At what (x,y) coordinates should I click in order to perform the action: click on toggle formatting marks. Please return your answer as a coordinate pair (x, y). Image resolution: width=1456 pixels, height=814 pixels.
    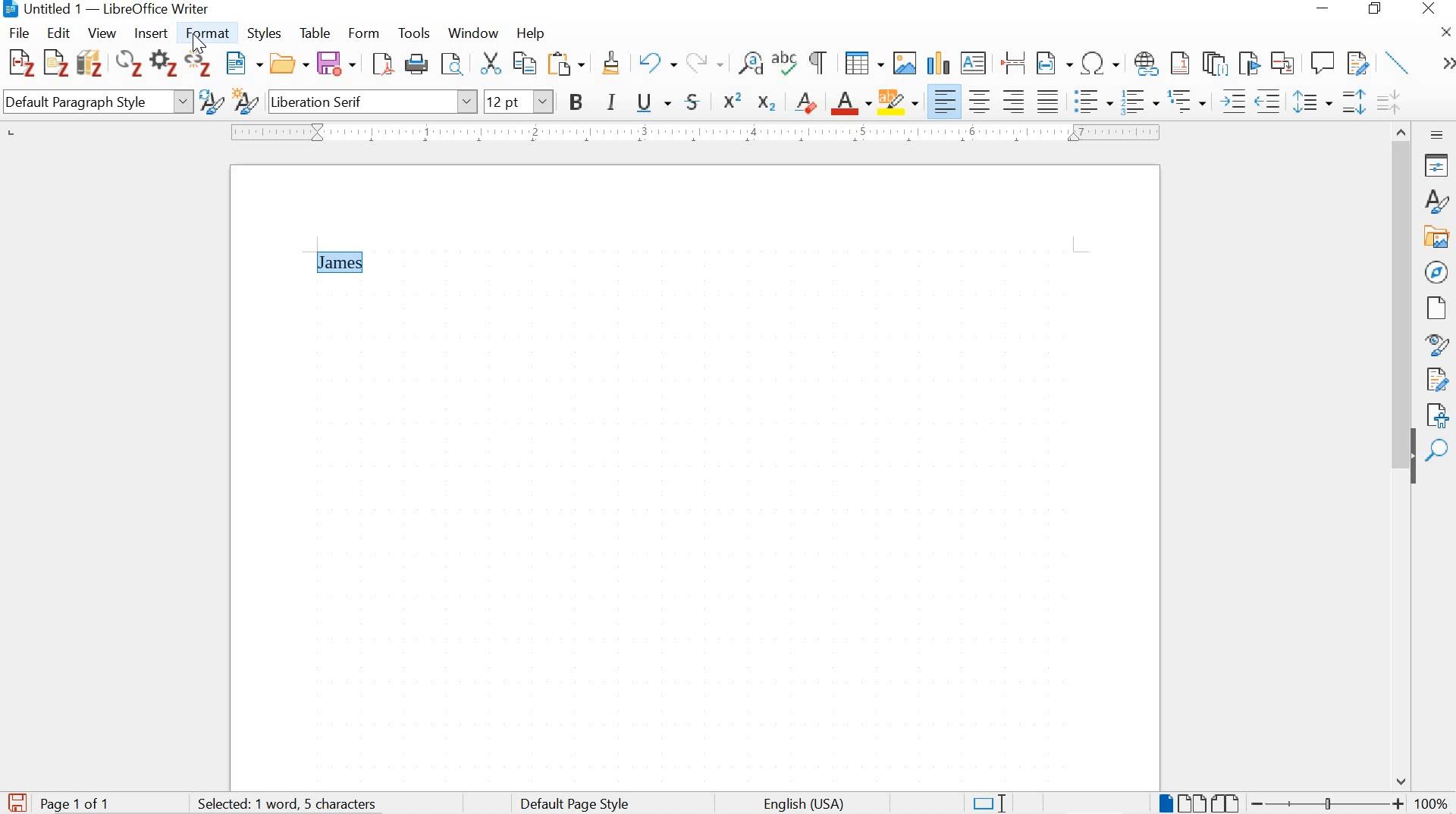
    Looking at the image, I should click on (819, 62).